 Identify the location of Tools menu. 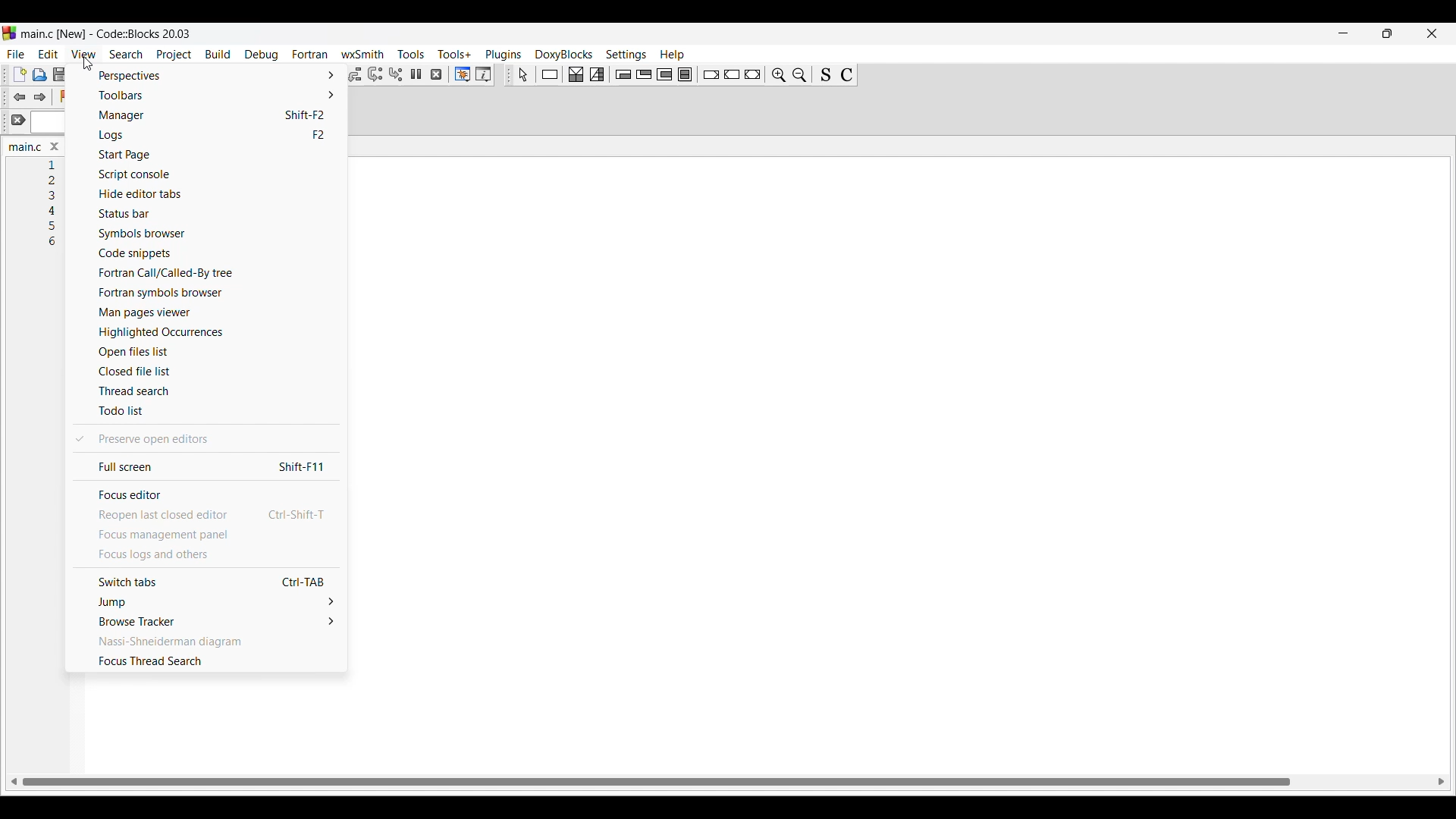
(411, 54).